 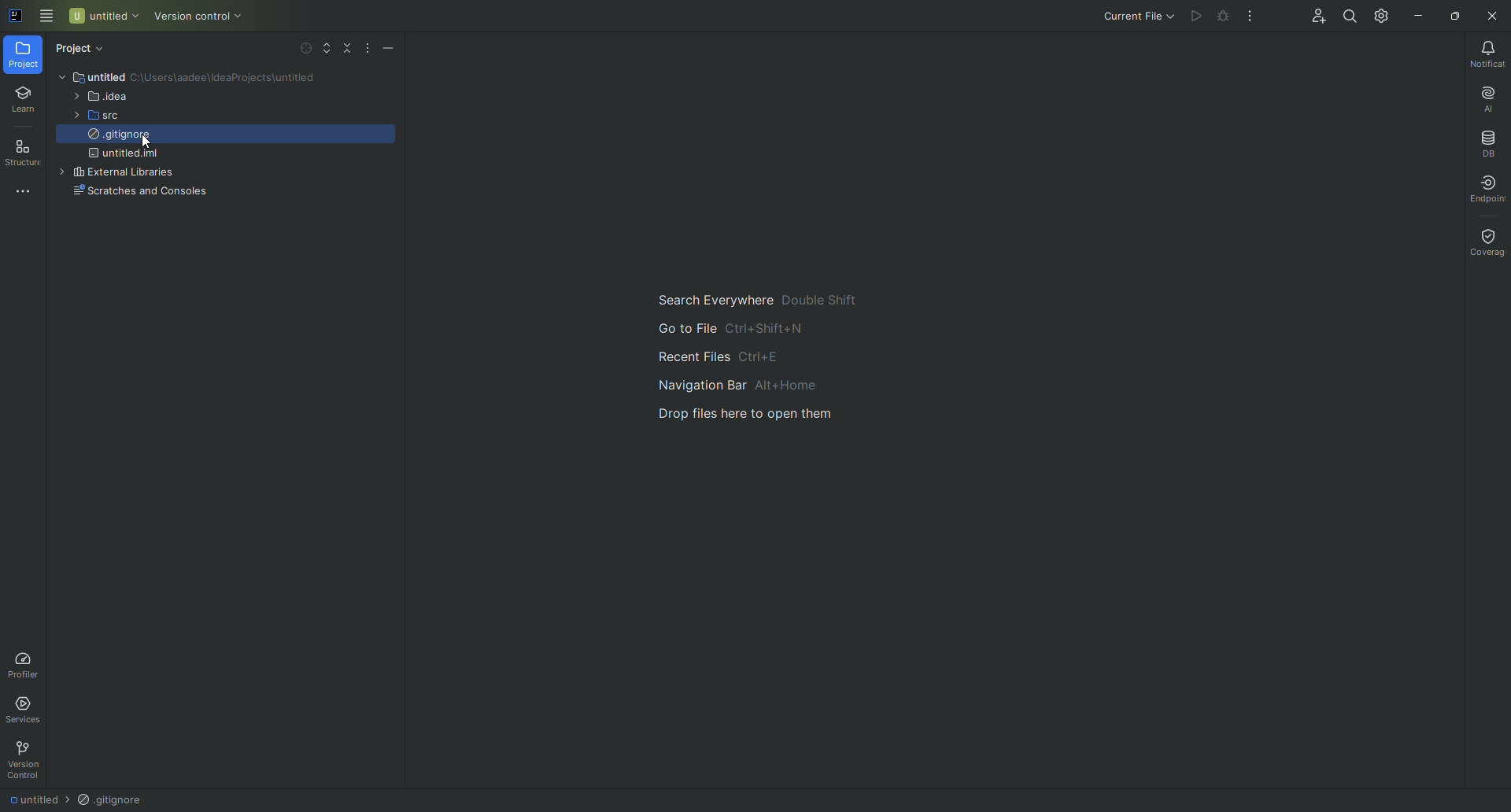 I want to click on Main Menu, so click(x=47, y=17).